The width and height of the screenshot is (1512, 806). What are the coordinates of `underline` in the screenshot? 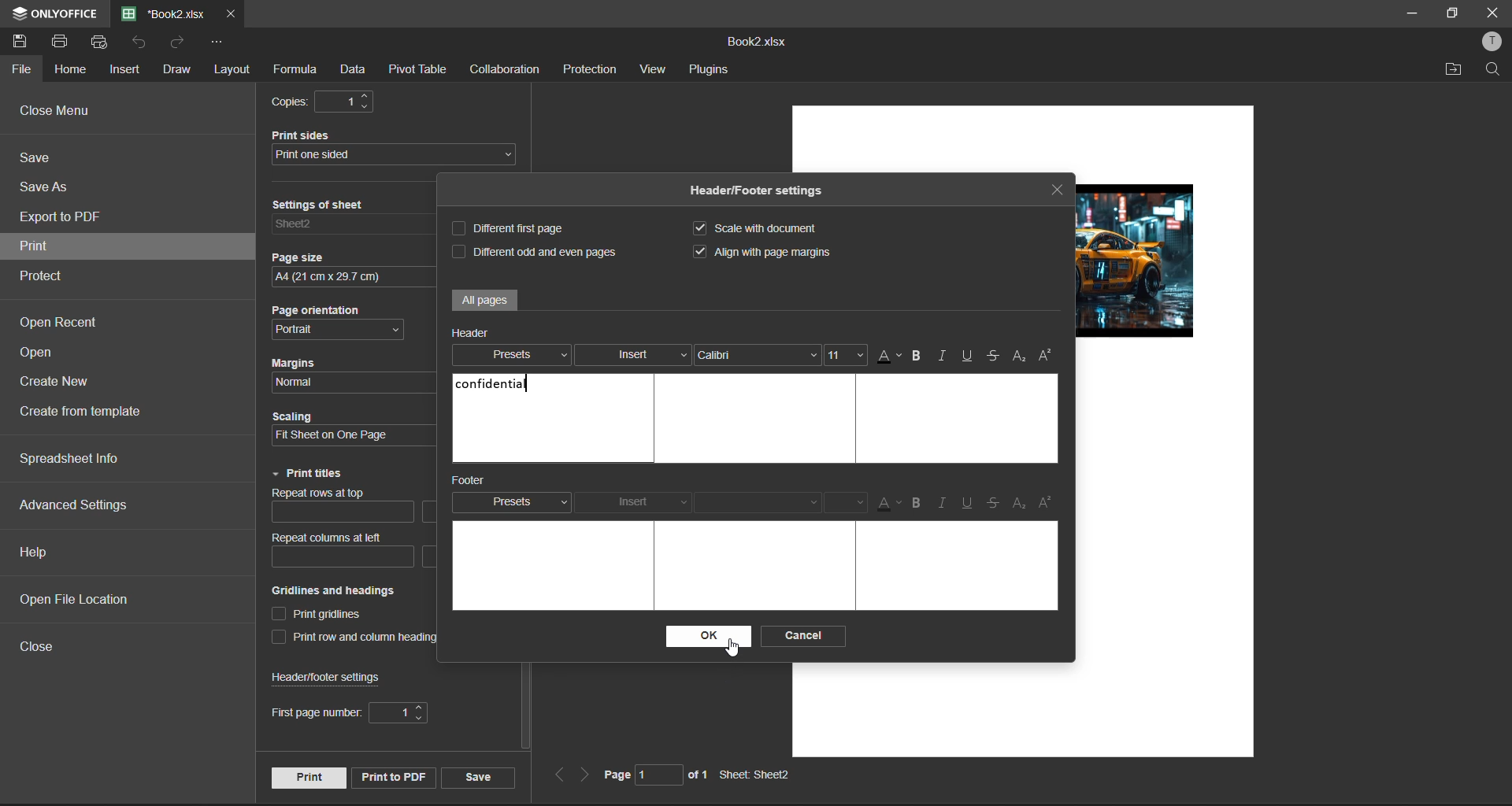 It's located at (969, 505).